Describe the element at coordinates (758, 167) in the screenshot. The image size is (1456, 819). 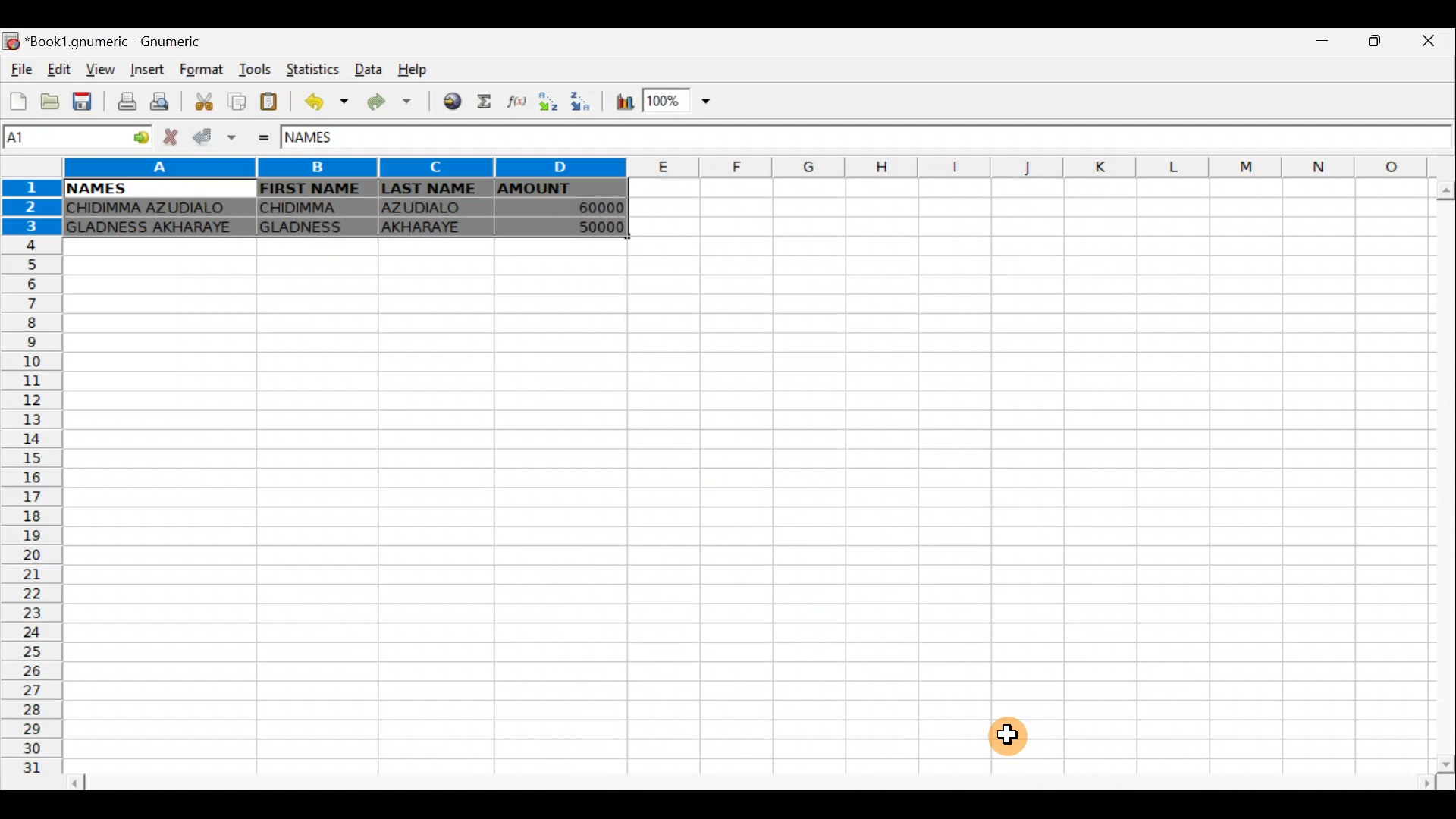
I see `Columns` at that location.